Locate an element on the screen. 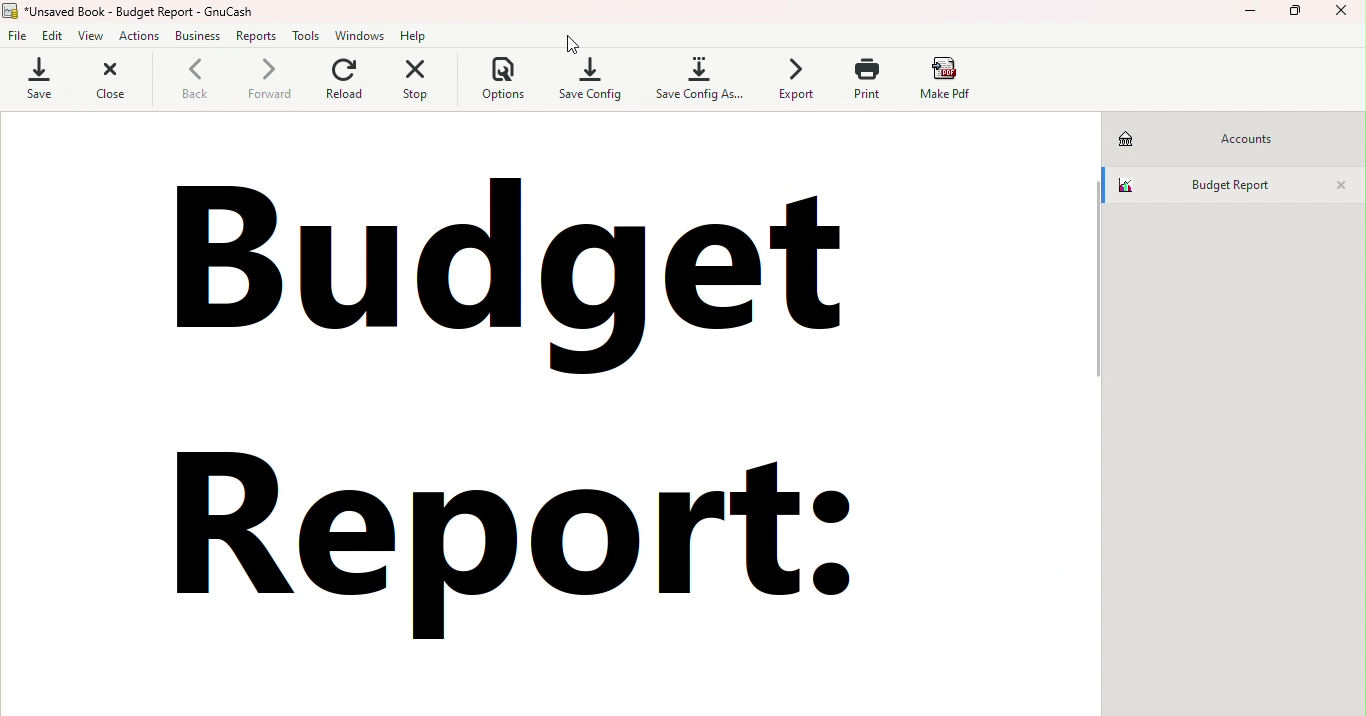 This screenshot has width=1366, height=716. Minimize is located at coordinates (1252, 15).